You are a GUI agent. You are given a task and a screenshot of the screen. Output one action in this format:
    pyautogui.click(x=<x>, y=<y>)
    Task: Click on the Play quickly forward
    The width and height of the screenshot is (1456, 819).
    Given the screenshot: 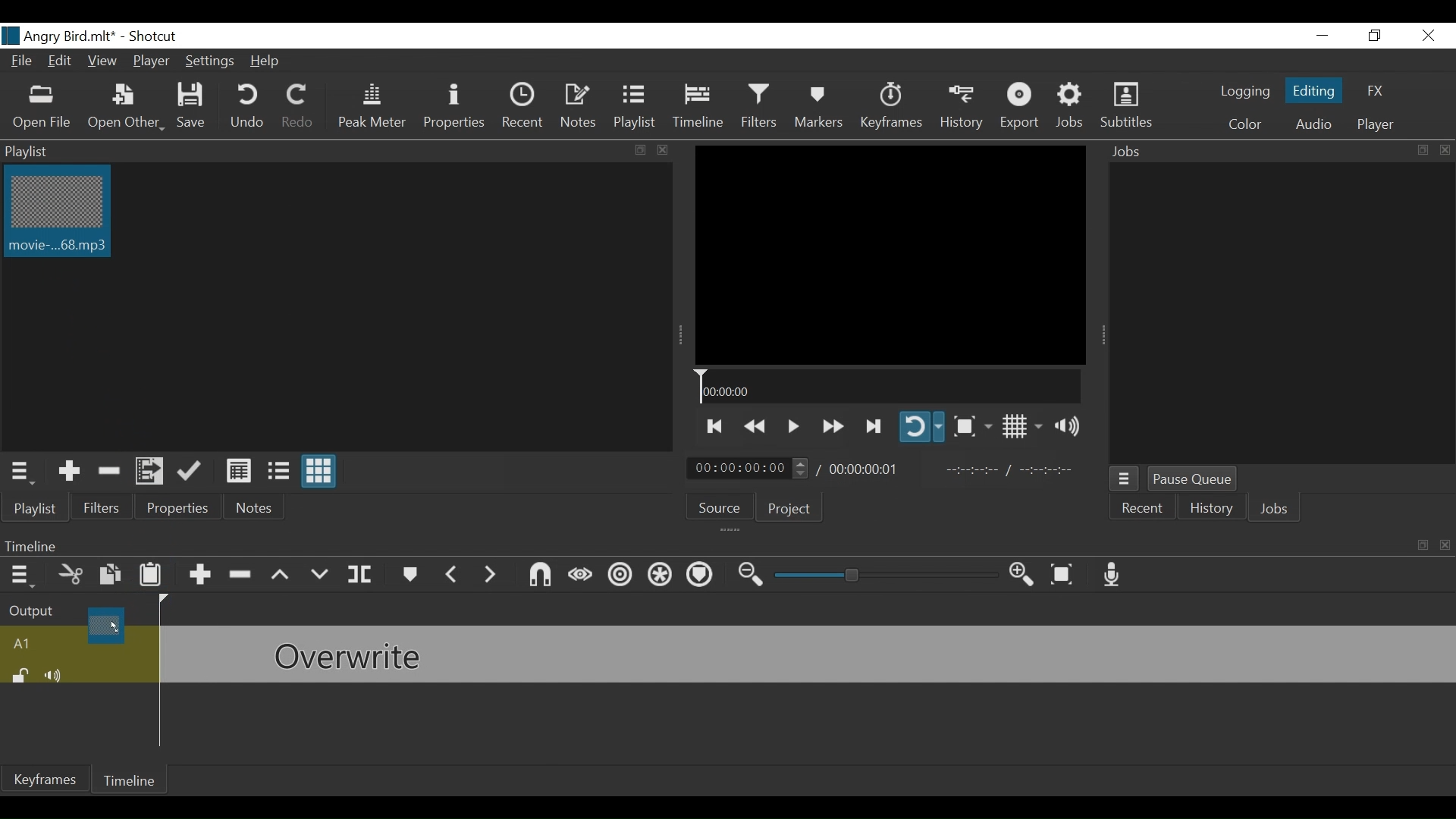 What is the action you would take?
    pyautogui.click(x=831, y=425)
    